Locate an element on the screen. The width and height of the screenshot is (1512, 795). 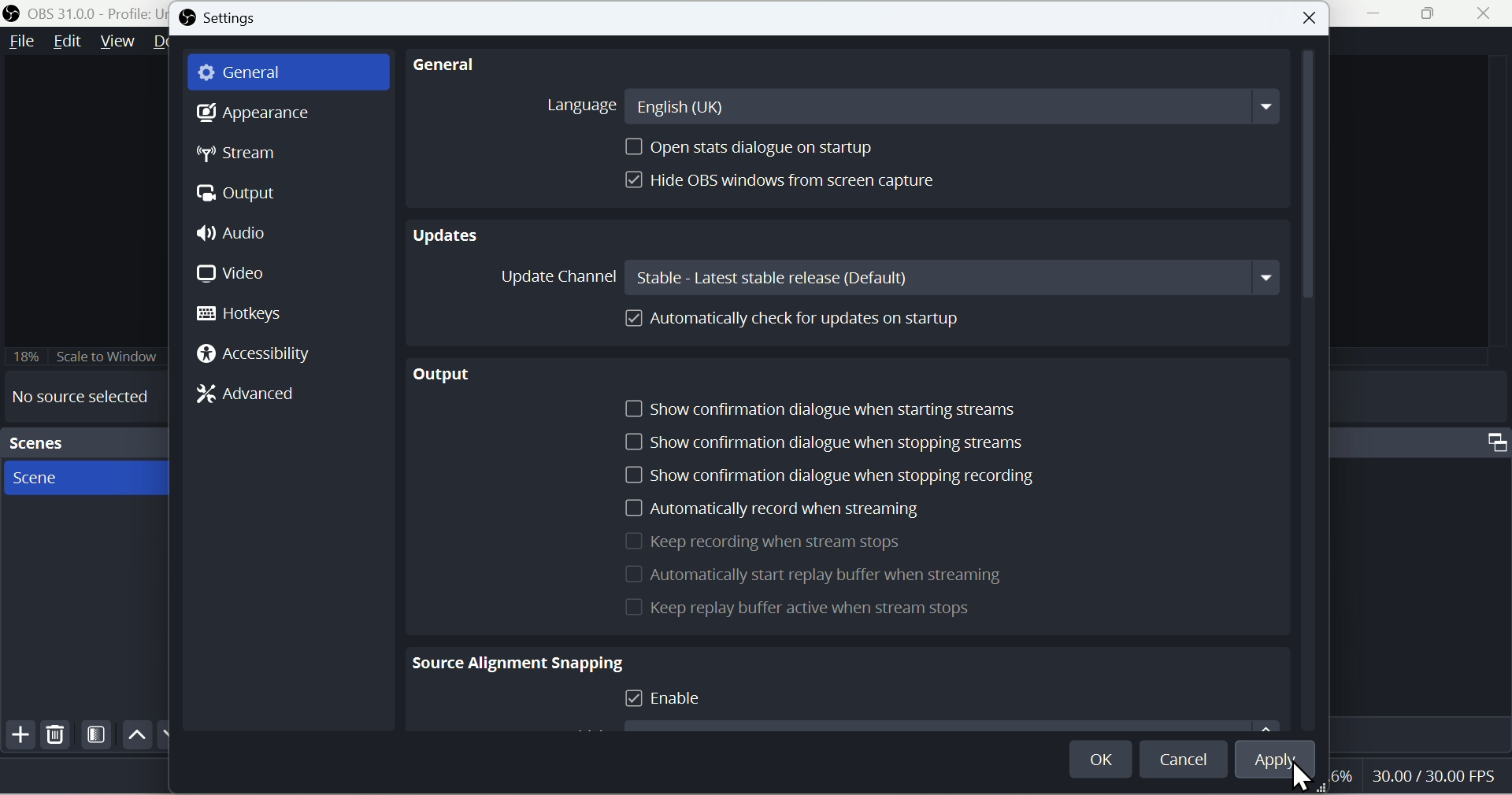
OK is located at coordinates (1102, 759).